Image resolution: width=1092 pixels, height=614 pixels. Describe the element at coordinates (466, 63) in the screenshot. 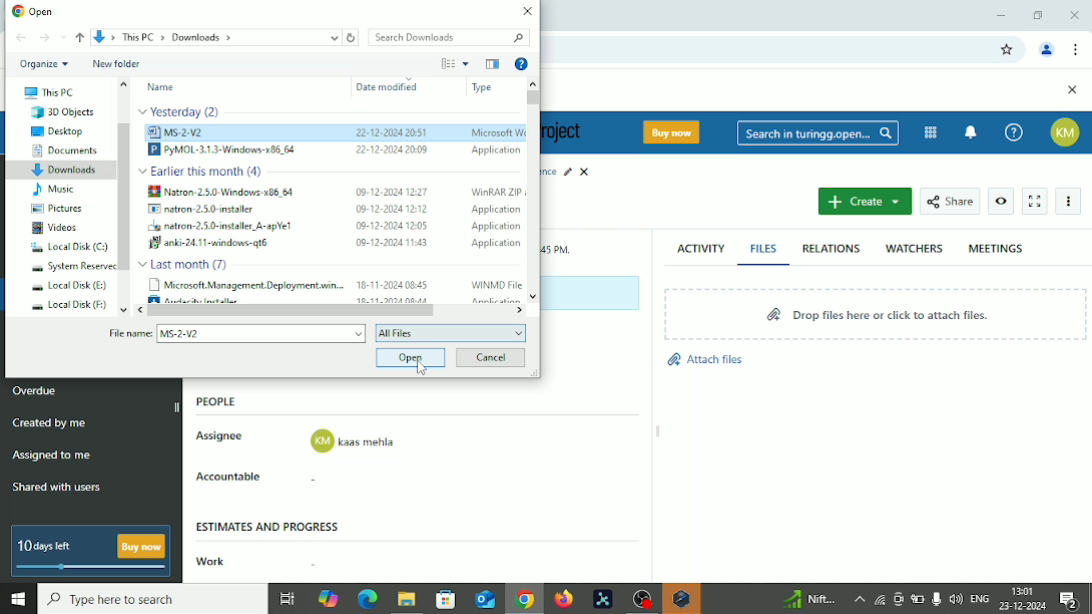

I see `More options` at that location.